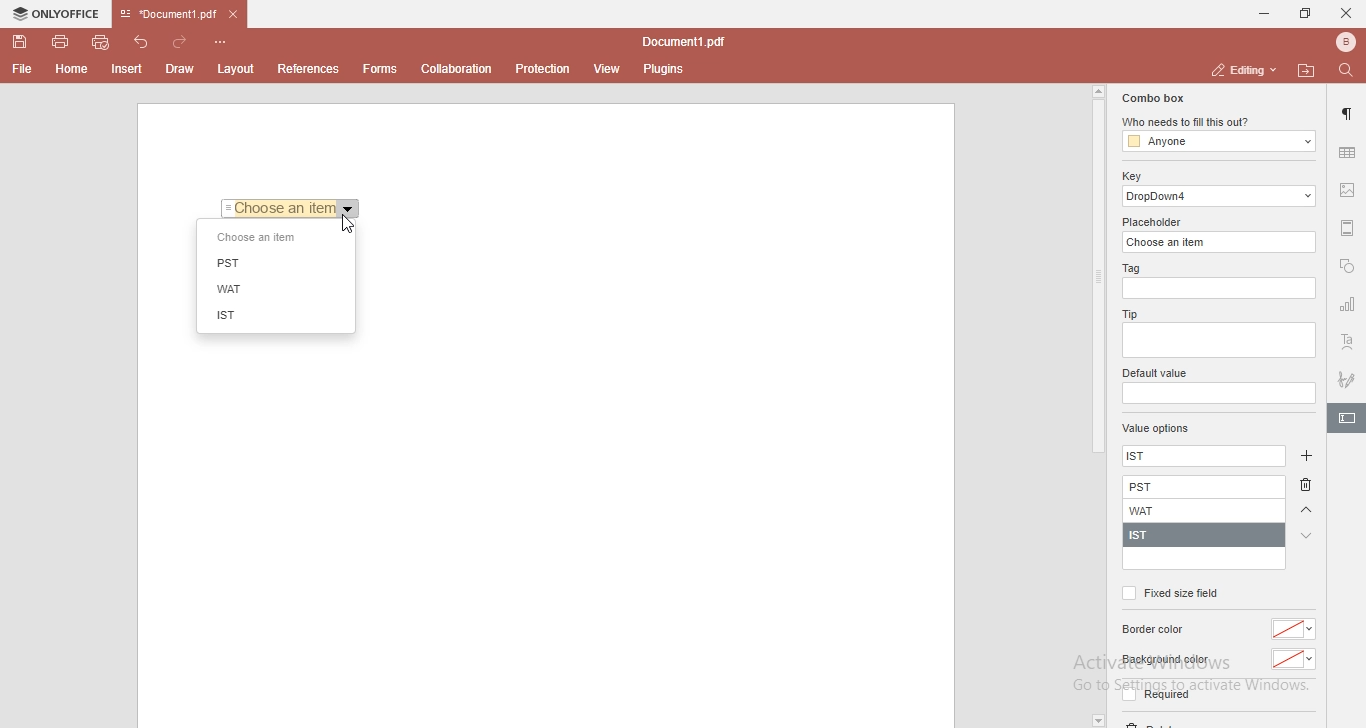  Describe the element at coordinates (1151, 98) in the screenshot. I see `combo box` at that location.